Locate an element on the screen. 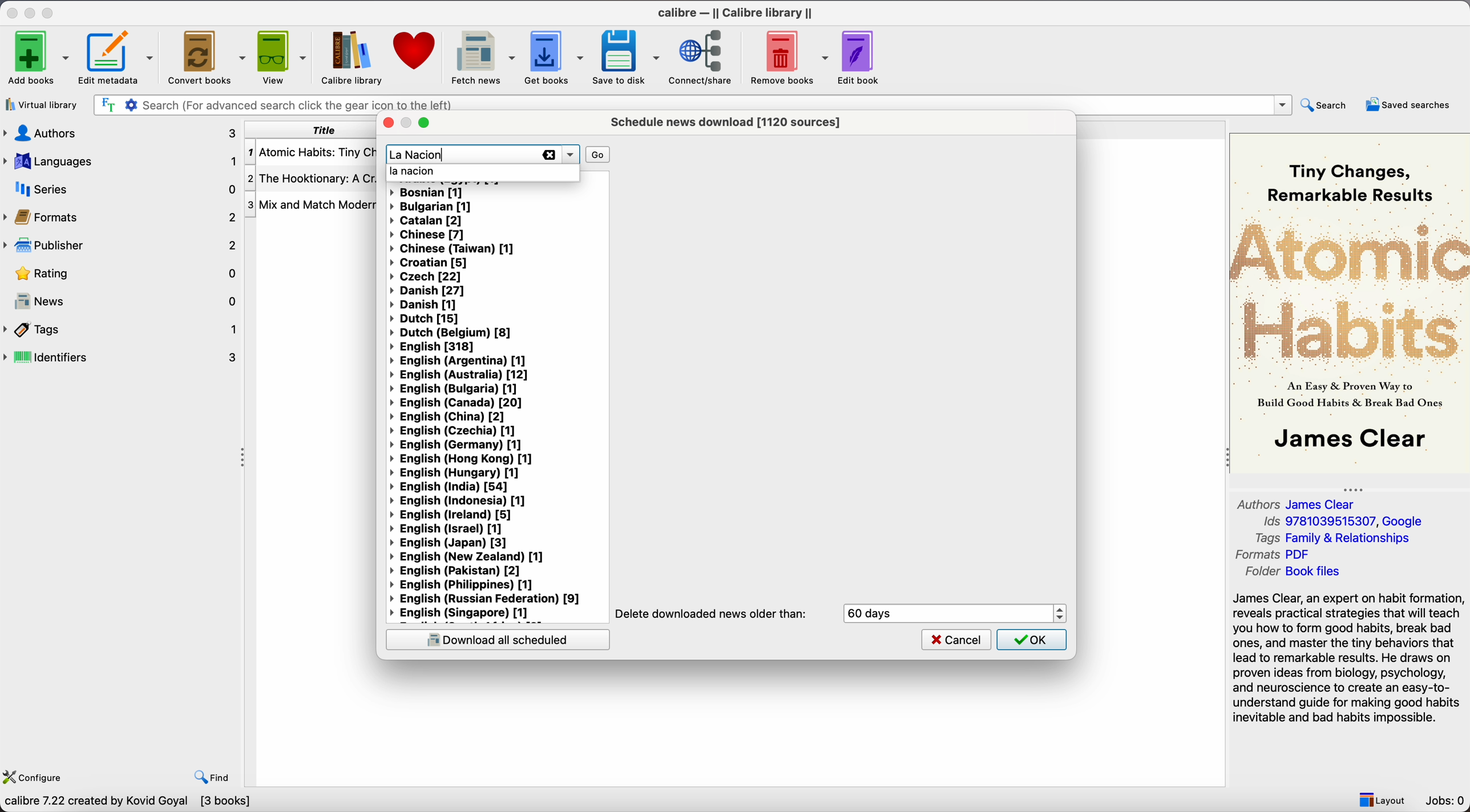  Dutch [15] is located at coordinates (425, 319).